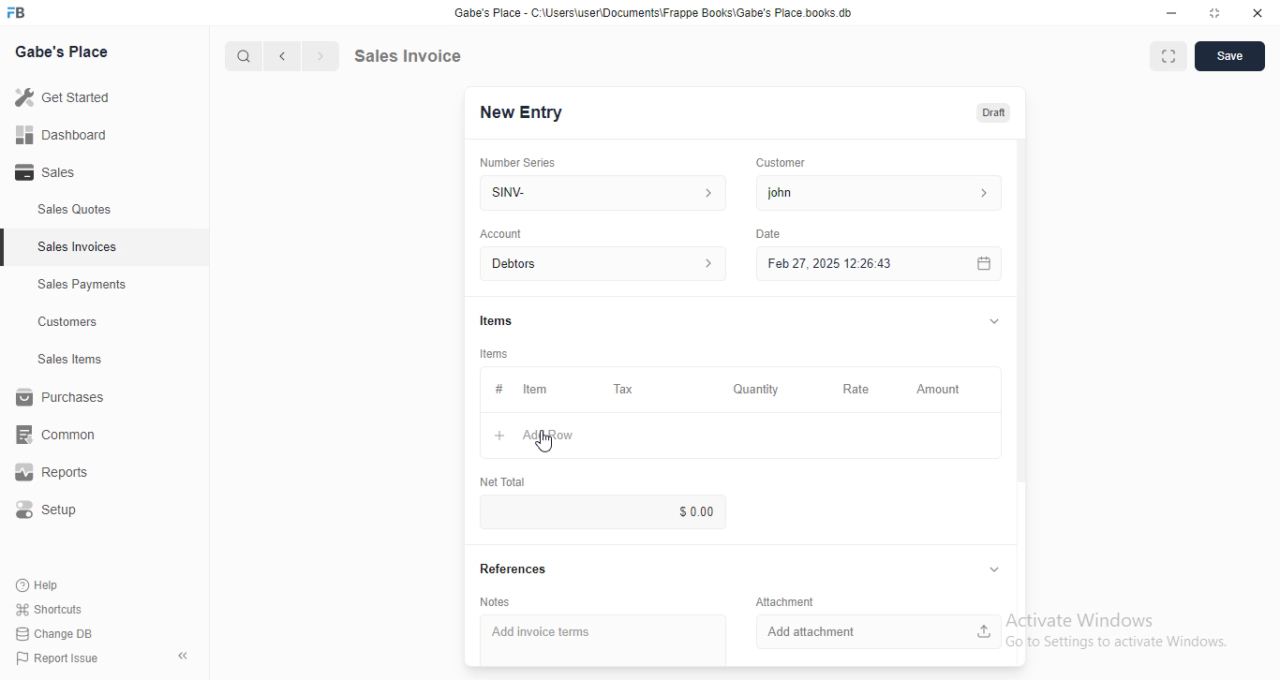 The image size is (1280, 680). What do you see at coordinates (80, 248) in the screenshot?
I see `Sales Invoices` at bounding box center [80, 248].